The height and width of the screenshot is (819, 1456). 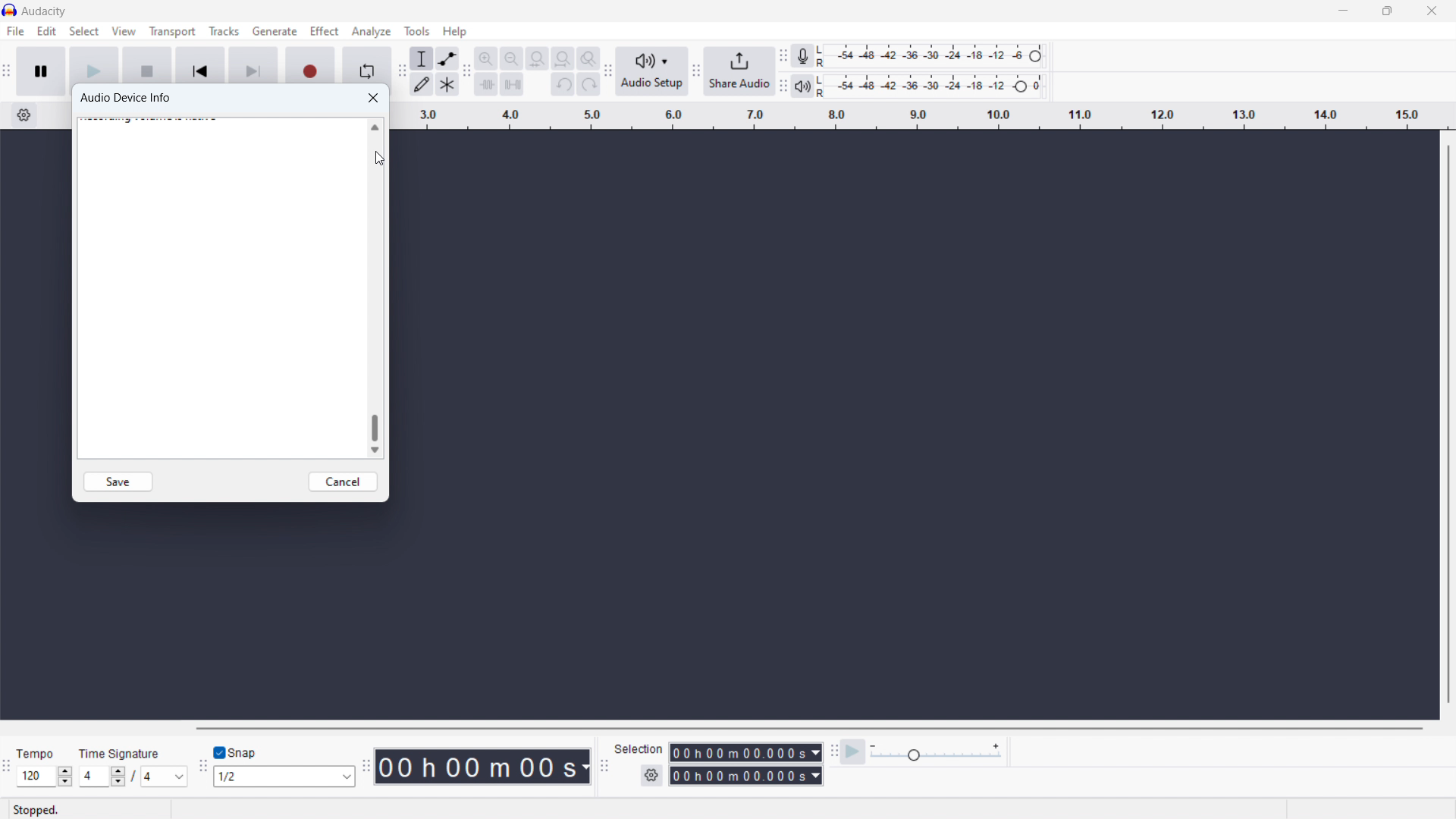 What do you see at coordinates (95, 64) in the screenshot?
I see `play` at bounding box center [95, 64].